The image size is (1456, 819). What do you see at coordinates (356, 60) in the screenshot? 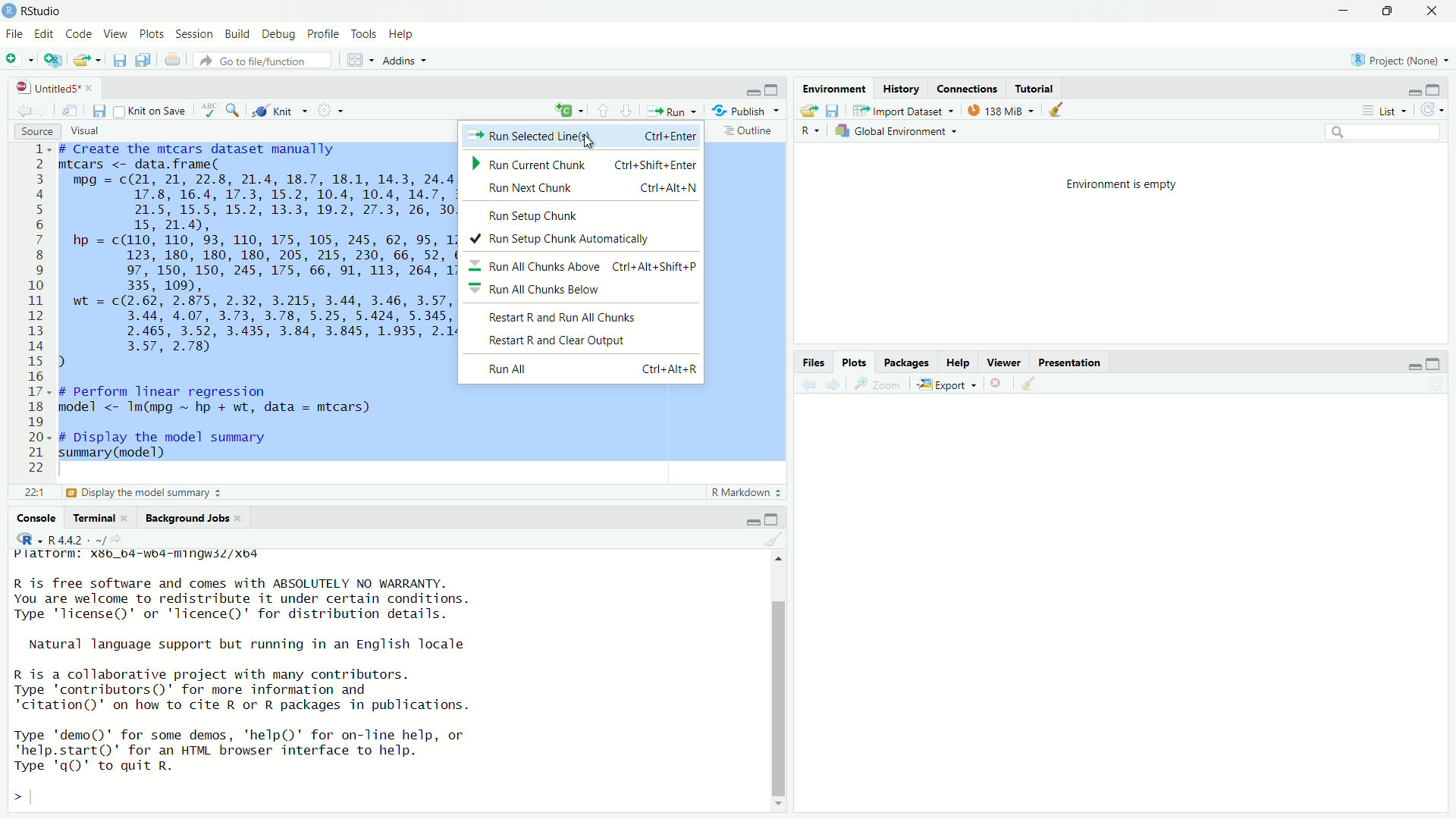
I see `workspace panes` at bounding box center [356, 60].